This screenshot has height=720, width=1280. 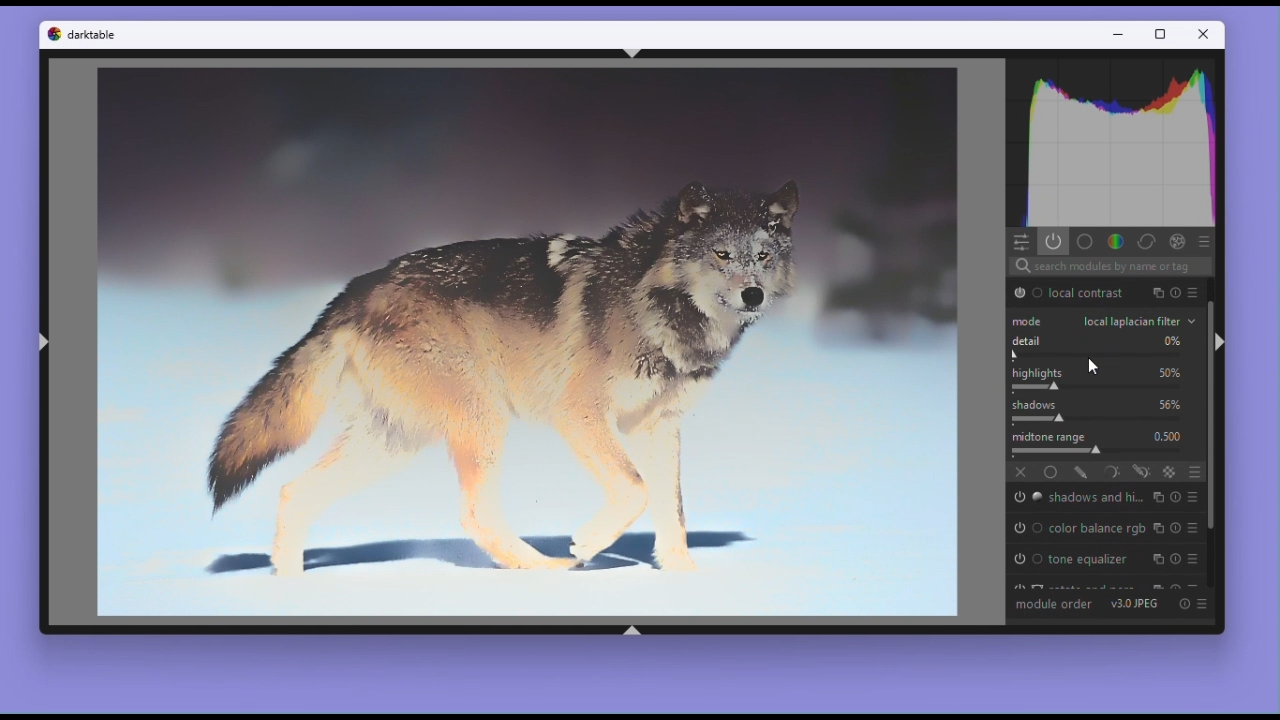 What do you see at coordinates (1098, 527) in the screenshot?
I see `Color balance rgb` at bounding box center [1098, 527].